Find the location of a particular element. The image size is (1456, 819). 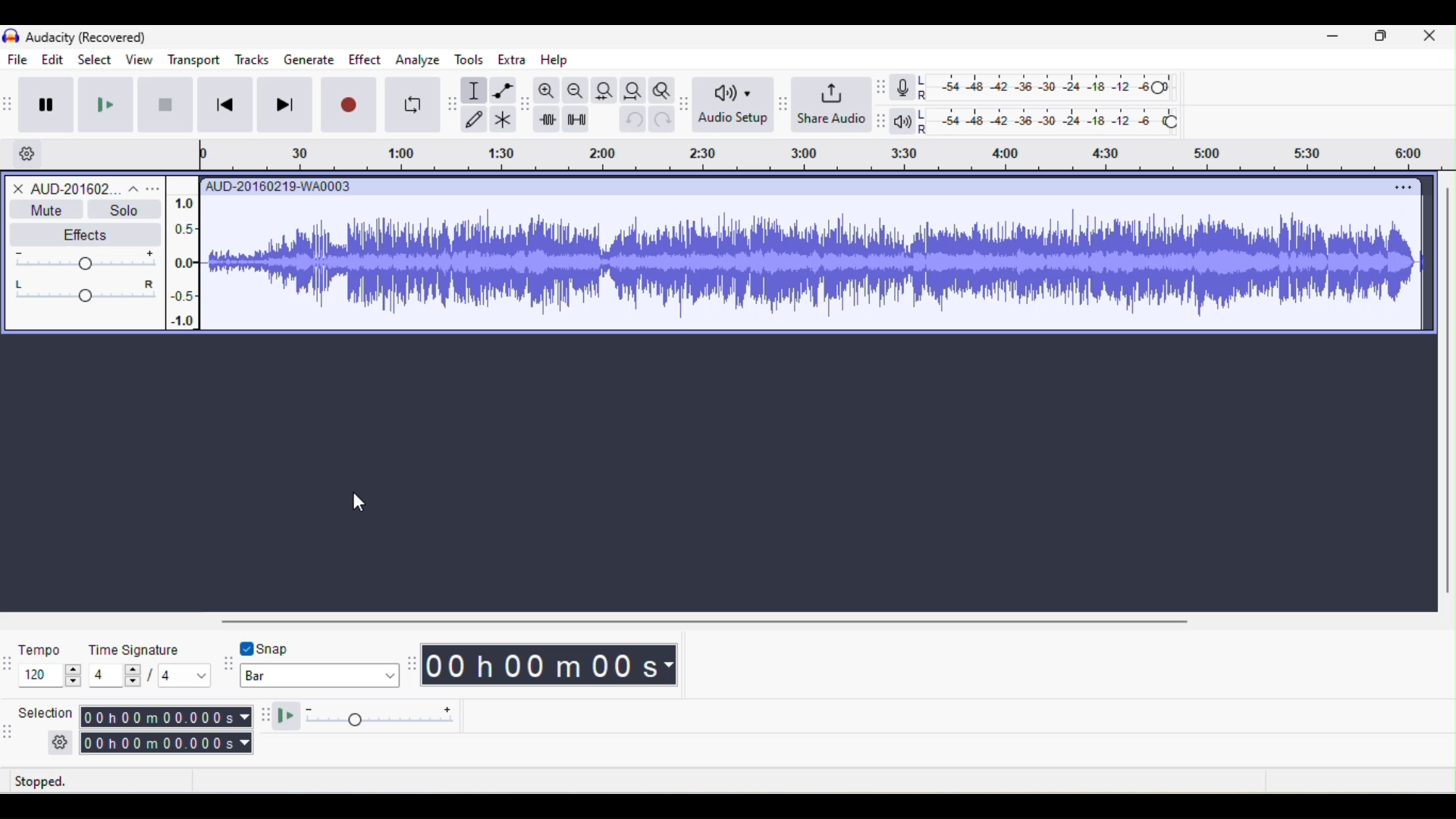

trim audio outside selection is located at coordinates (548, 119).